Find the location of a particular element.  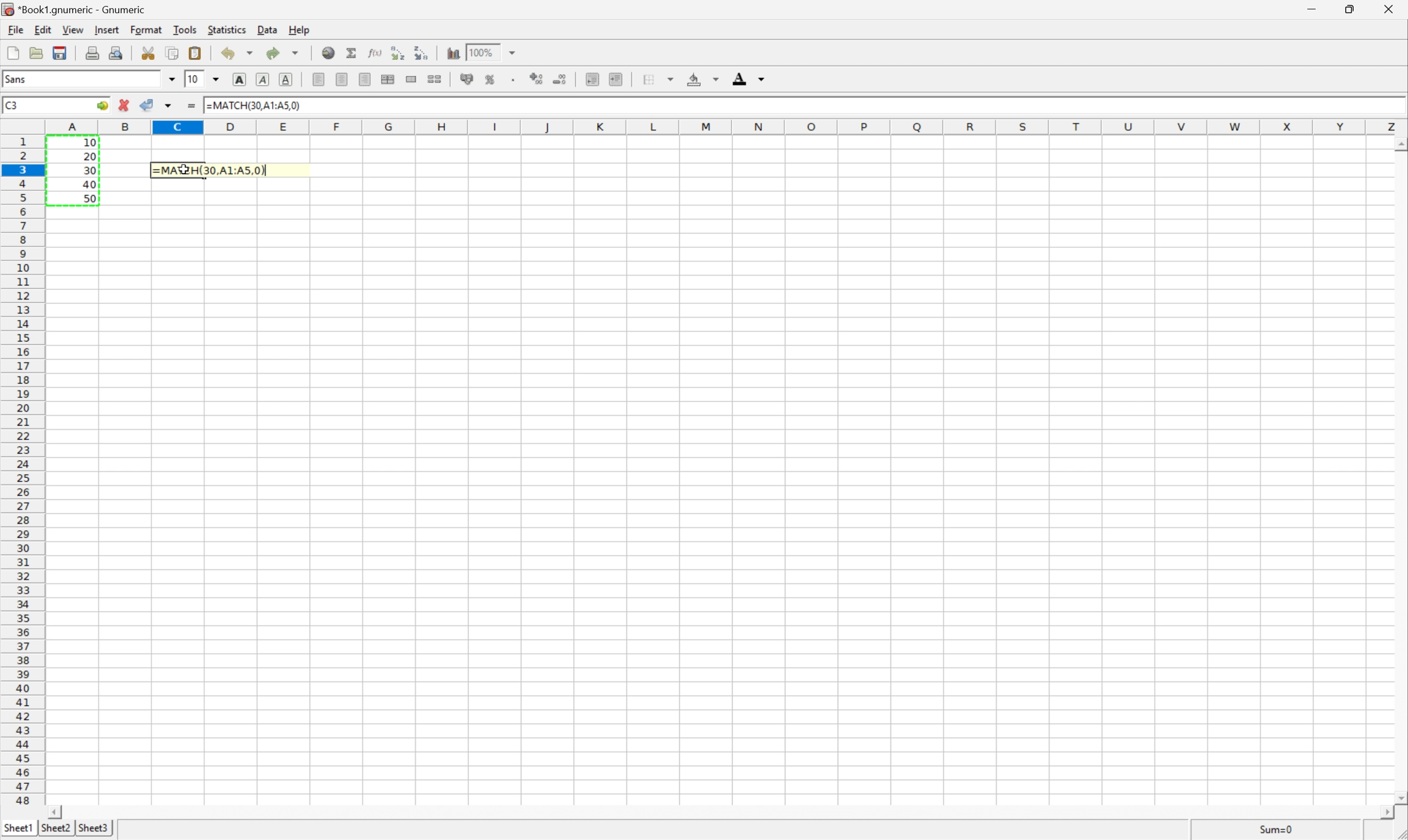

File is located at coordinates (12, 50).